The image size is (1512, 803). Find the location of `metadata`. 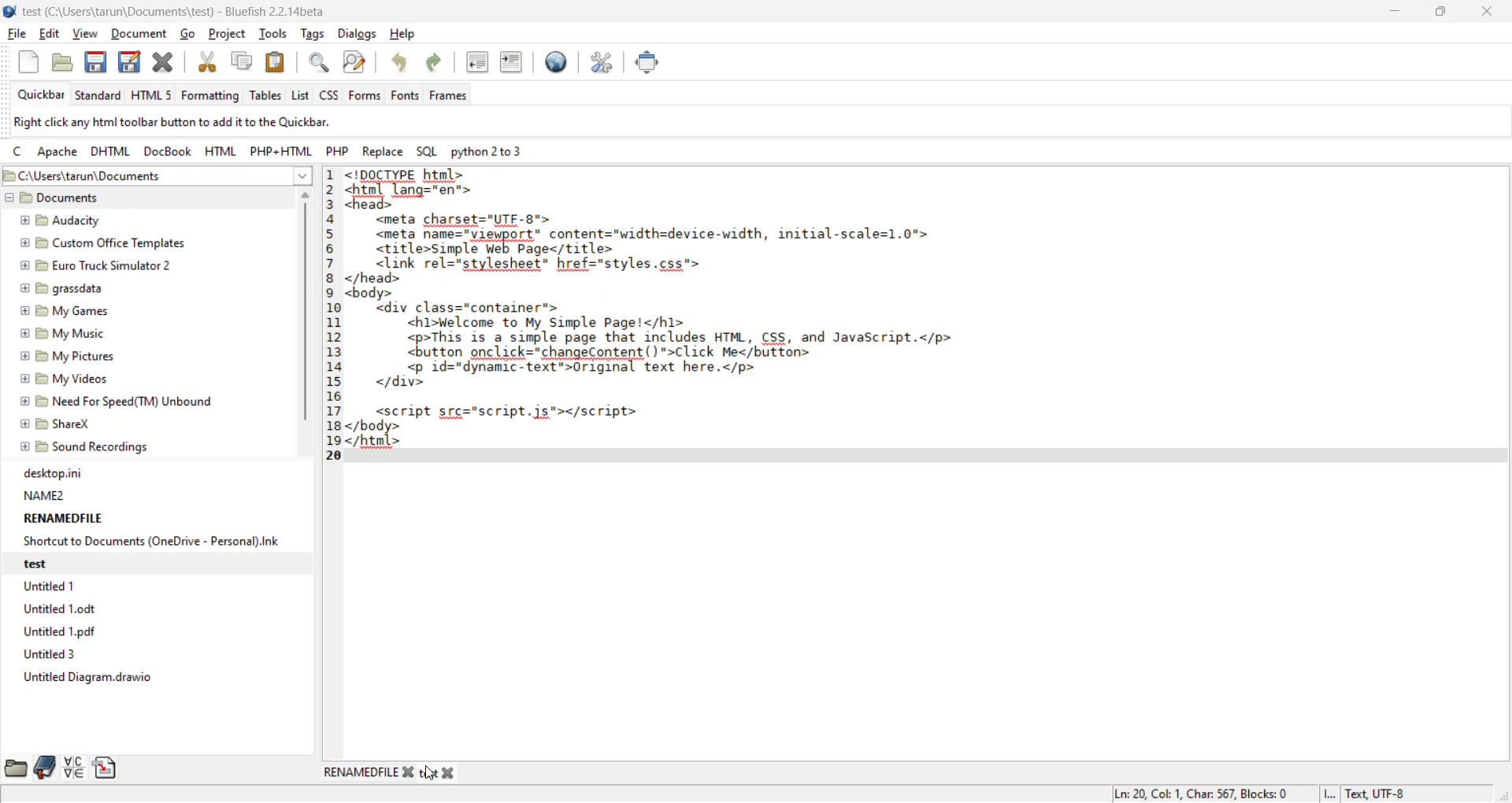

metadata is located at coordinates (210, 123).